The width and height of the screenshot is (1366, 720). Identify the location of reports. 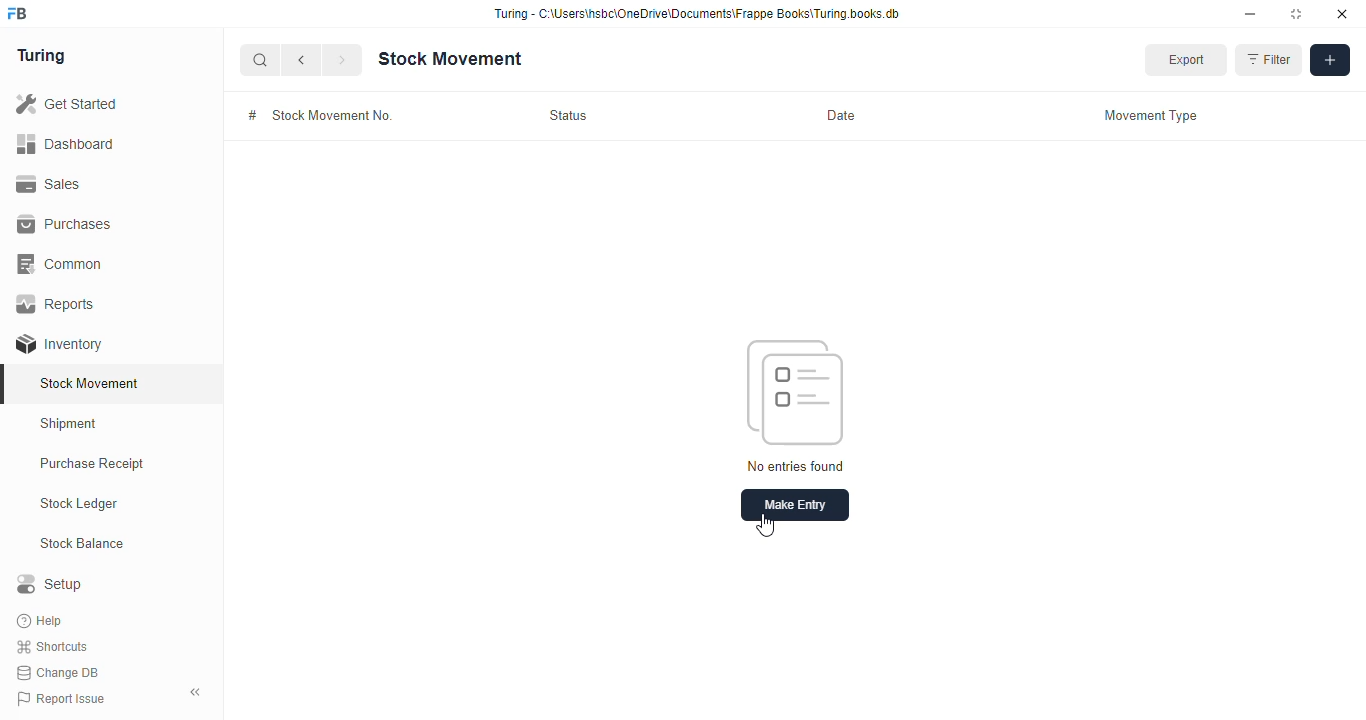
(57, 303).